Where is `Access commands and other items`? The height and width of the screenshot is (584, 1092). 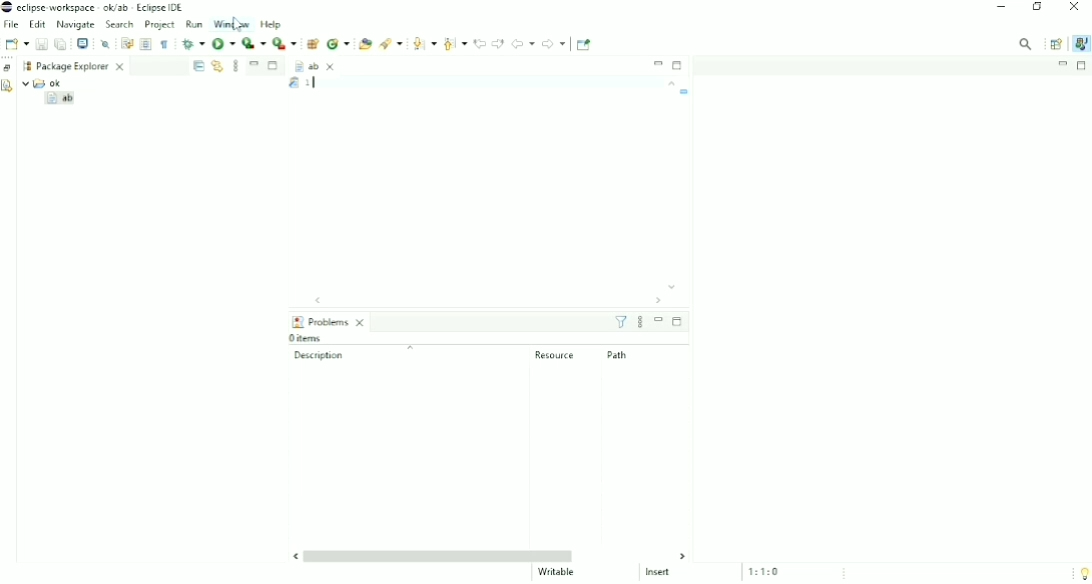
Access commands and other items is located at coordinates (1026, 43).